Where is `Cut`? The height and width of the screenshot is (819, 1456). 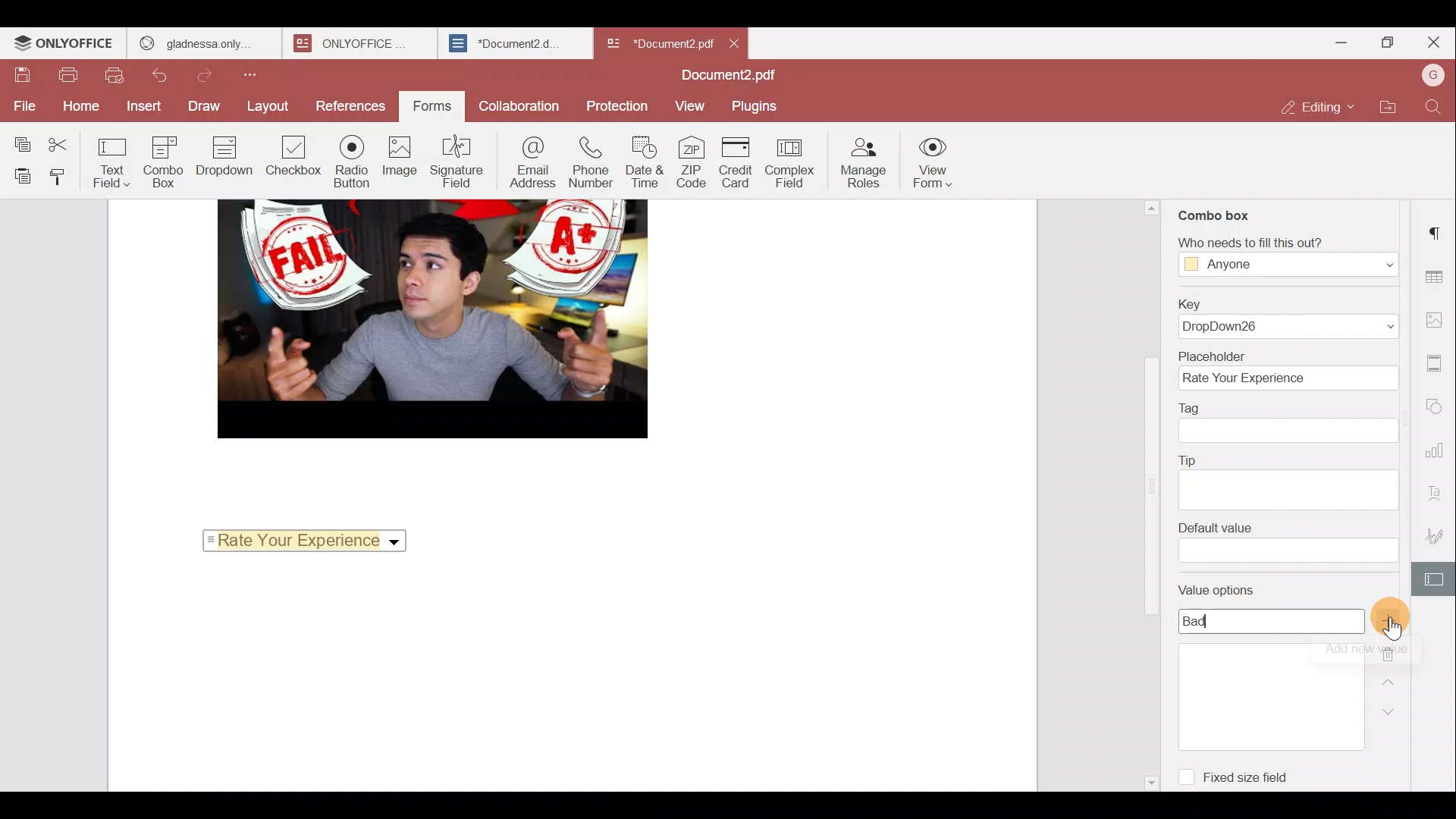
Cut is located at coordinates (70, 142).